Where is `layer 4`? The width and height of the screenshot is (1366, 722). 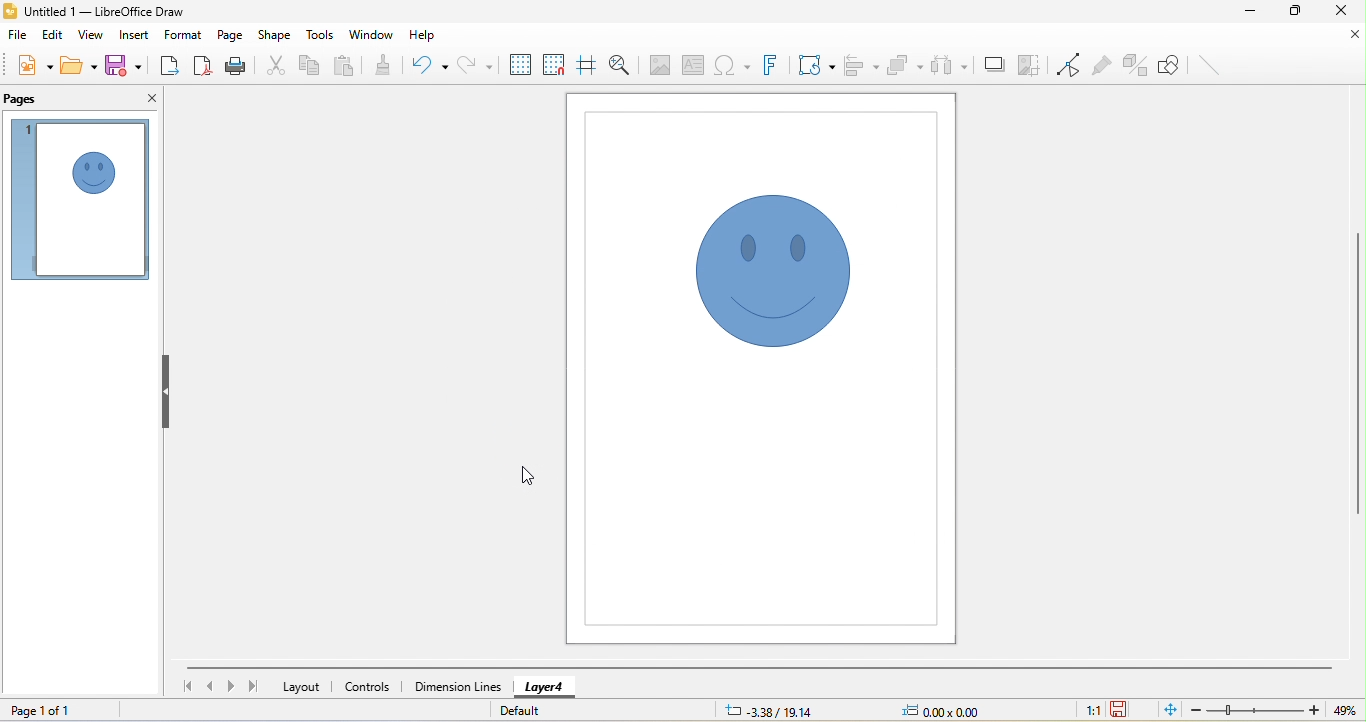
layer 4 is located at coordinates (551, 687).